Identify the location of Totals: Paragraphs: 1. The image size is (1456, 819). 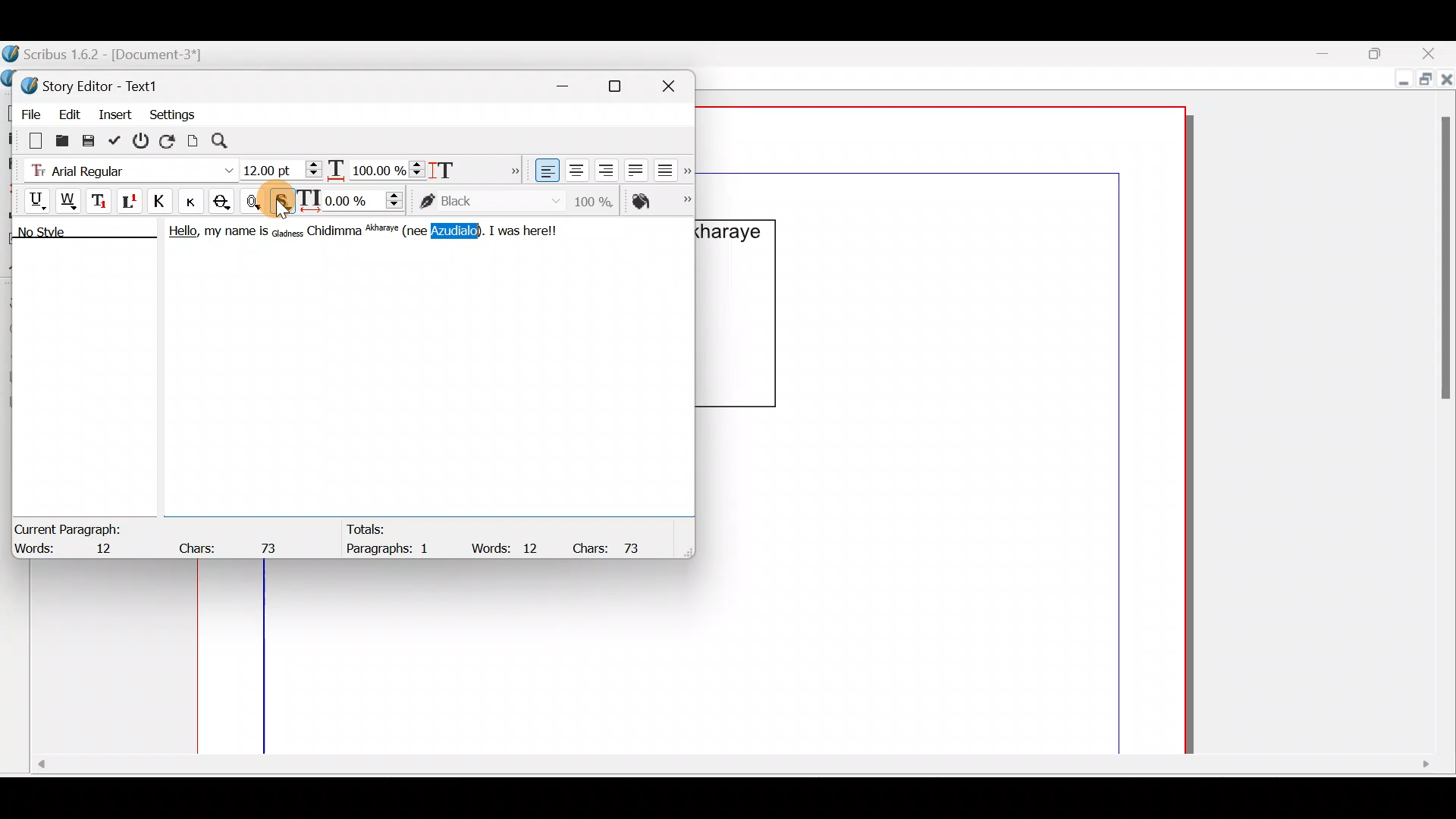
(395, 541).